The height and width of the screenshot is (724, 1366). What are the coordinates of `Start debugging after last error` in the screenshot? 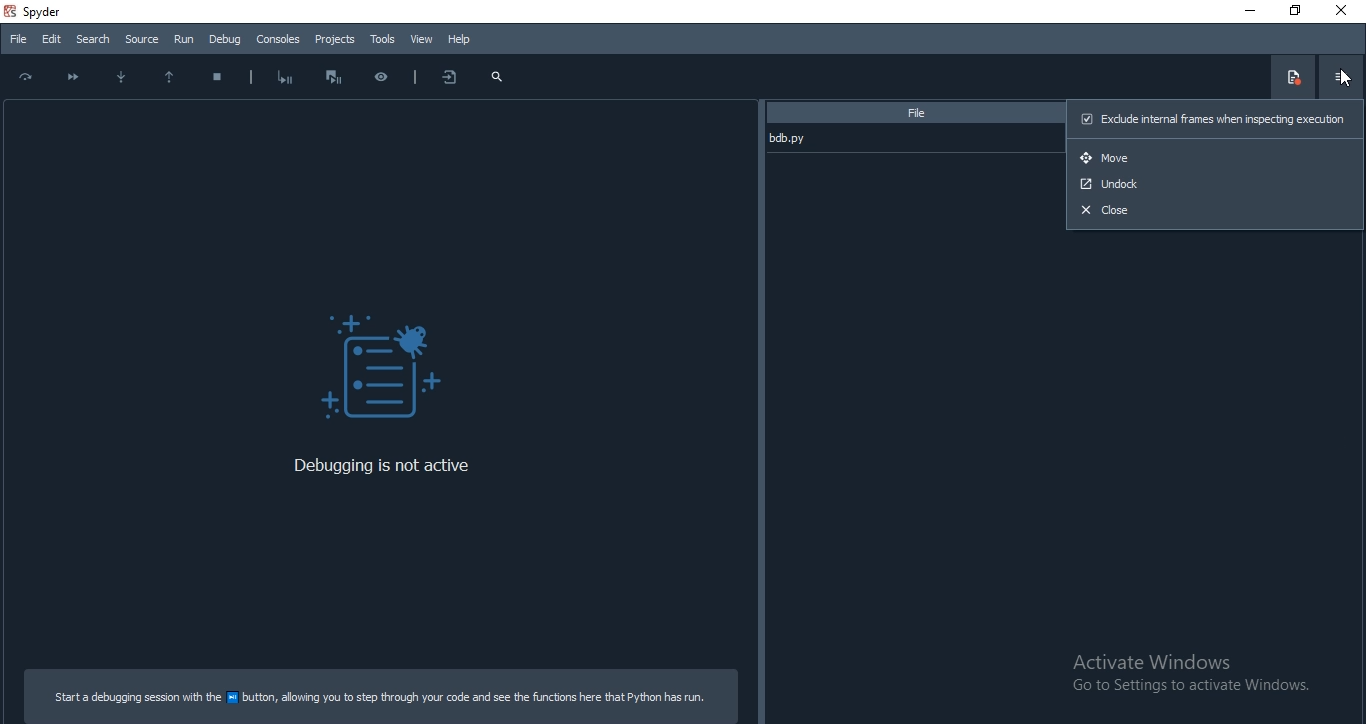 It's located at (285, 78).